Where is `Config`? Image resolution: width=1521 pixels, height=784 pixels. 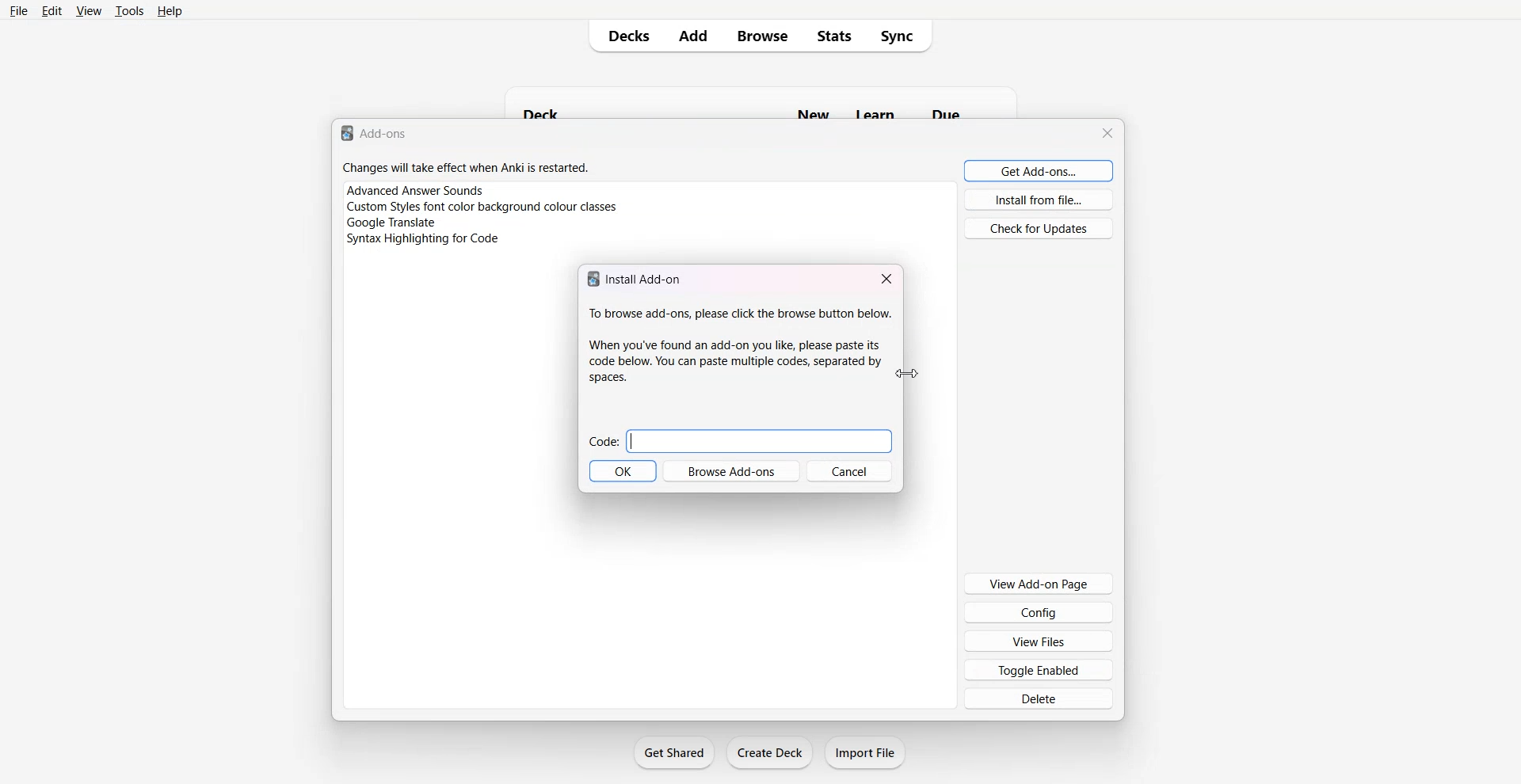
Config is located at coordinates (1039, 612).